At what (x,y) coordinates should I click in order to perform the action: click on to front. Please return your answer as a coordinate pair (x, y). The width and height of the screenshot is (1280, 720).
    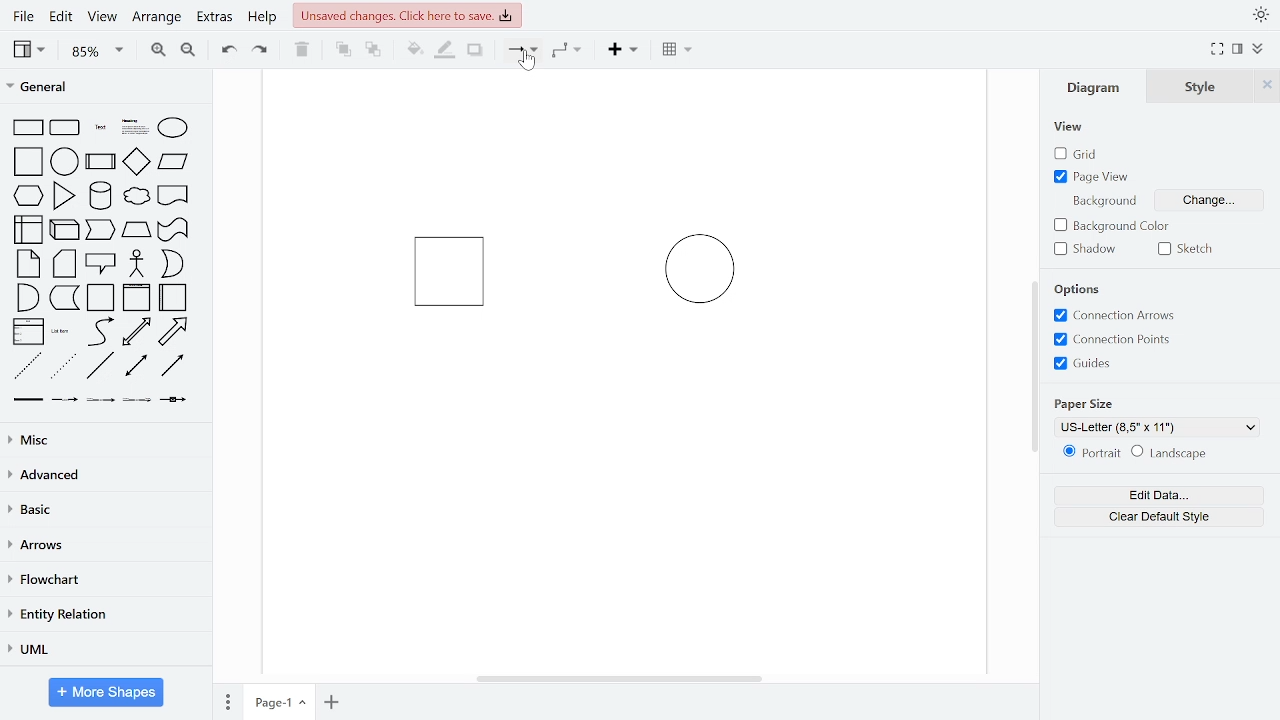
    Looking at the image, I should click on (343, 50).